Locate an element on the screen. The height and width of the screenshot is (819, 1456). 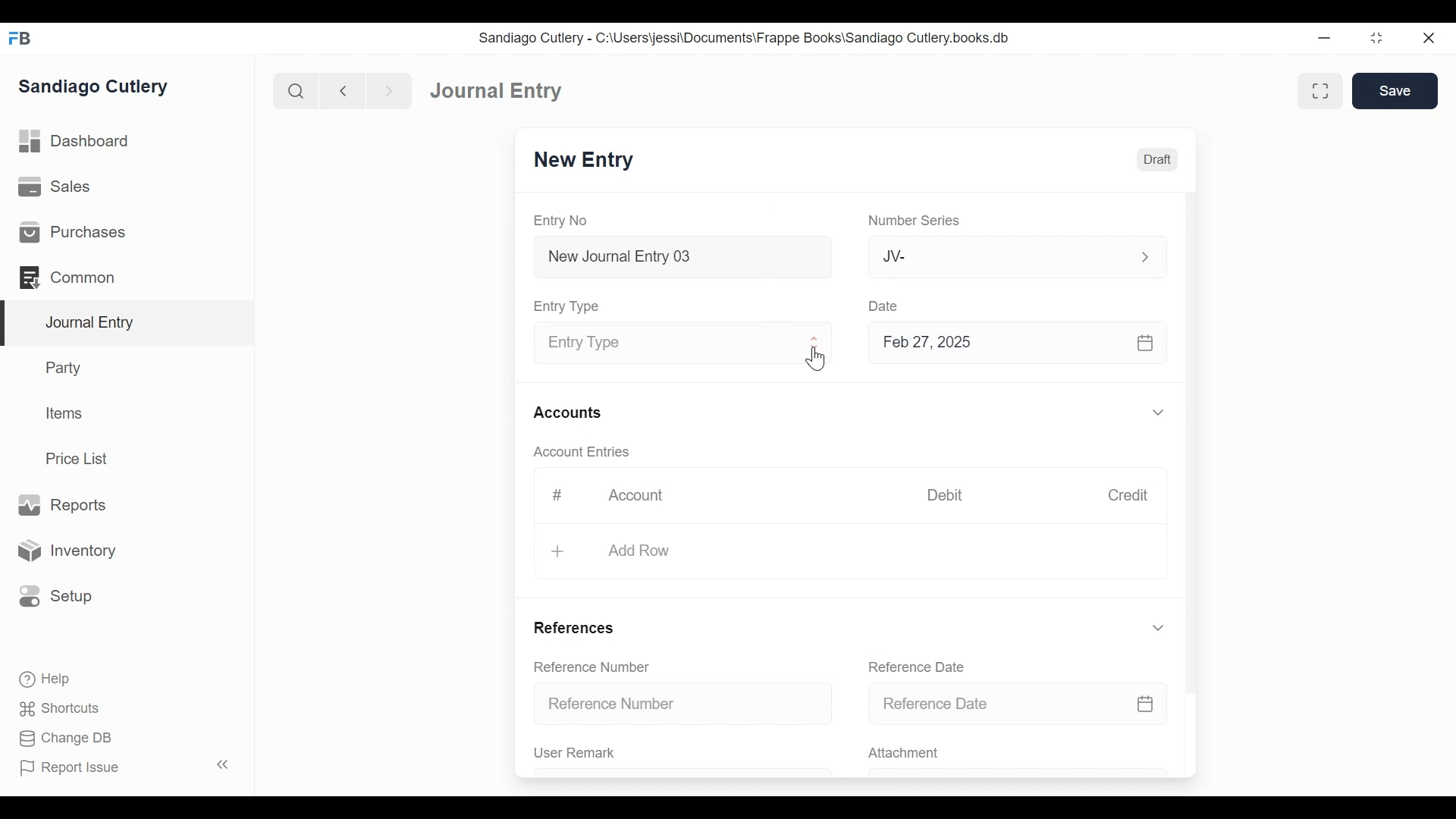
Dashboard is located at coordinates (75, 142).